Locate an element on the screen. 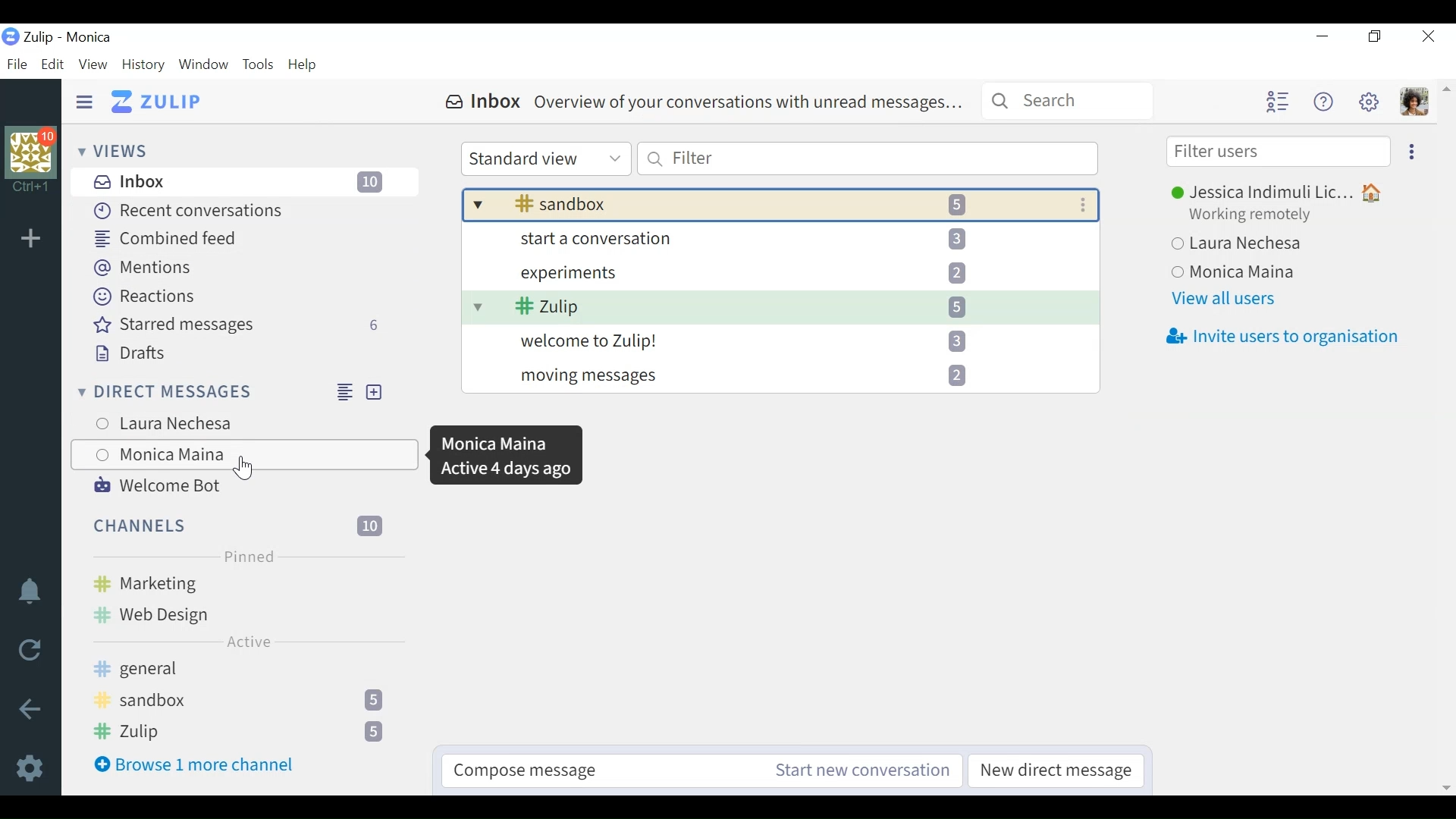 This screenshot has width=1456, height=819. Zulip - Monica is located at coordinates (67, 37).